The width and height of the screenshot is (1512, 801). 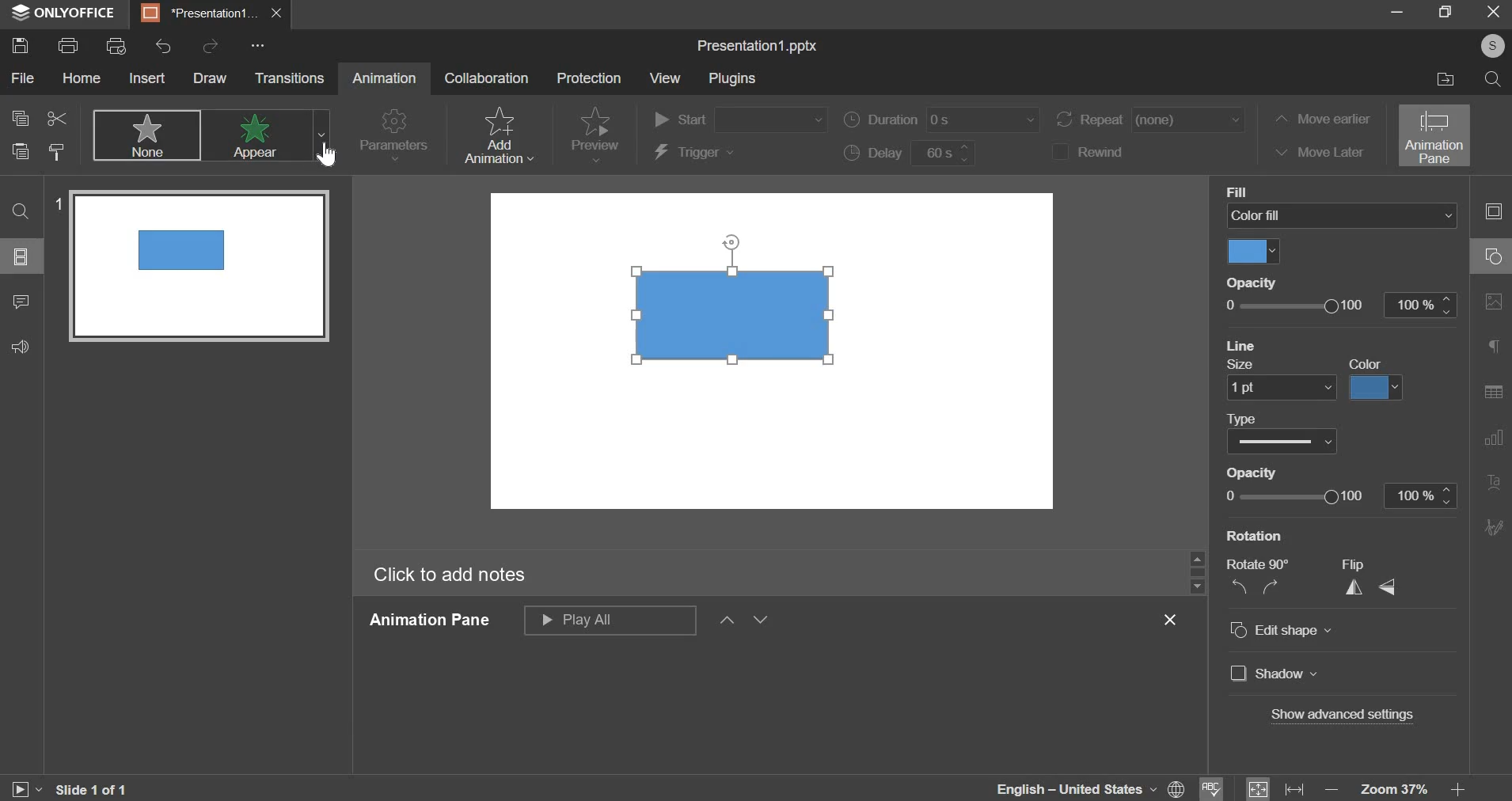 What do you see at coordinates (1395, 790) in the screenshot?
I see `zoom 37%` at bounding box center [1395, 790].